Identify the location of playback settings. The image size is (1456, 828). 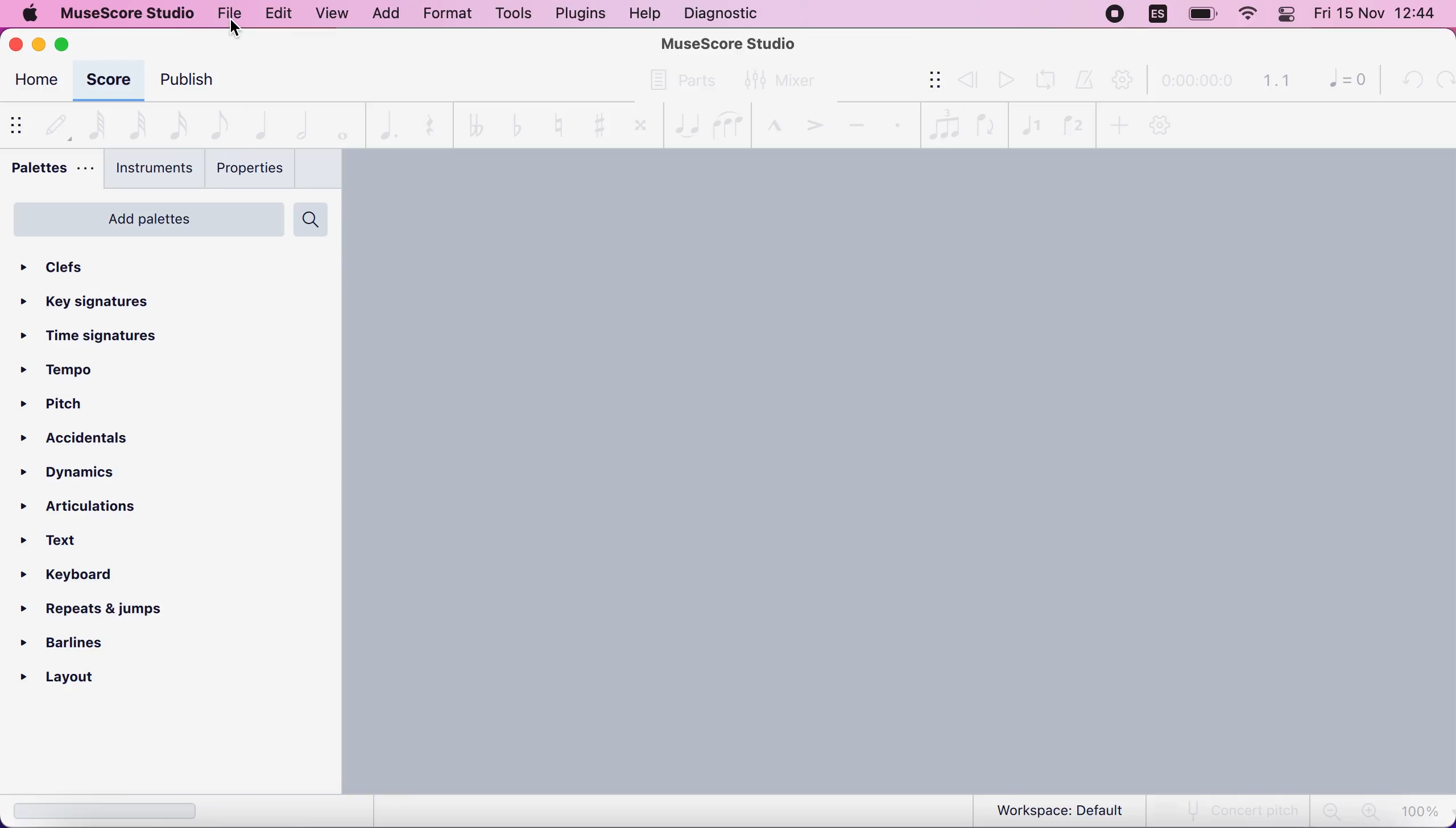
(1126, 81).